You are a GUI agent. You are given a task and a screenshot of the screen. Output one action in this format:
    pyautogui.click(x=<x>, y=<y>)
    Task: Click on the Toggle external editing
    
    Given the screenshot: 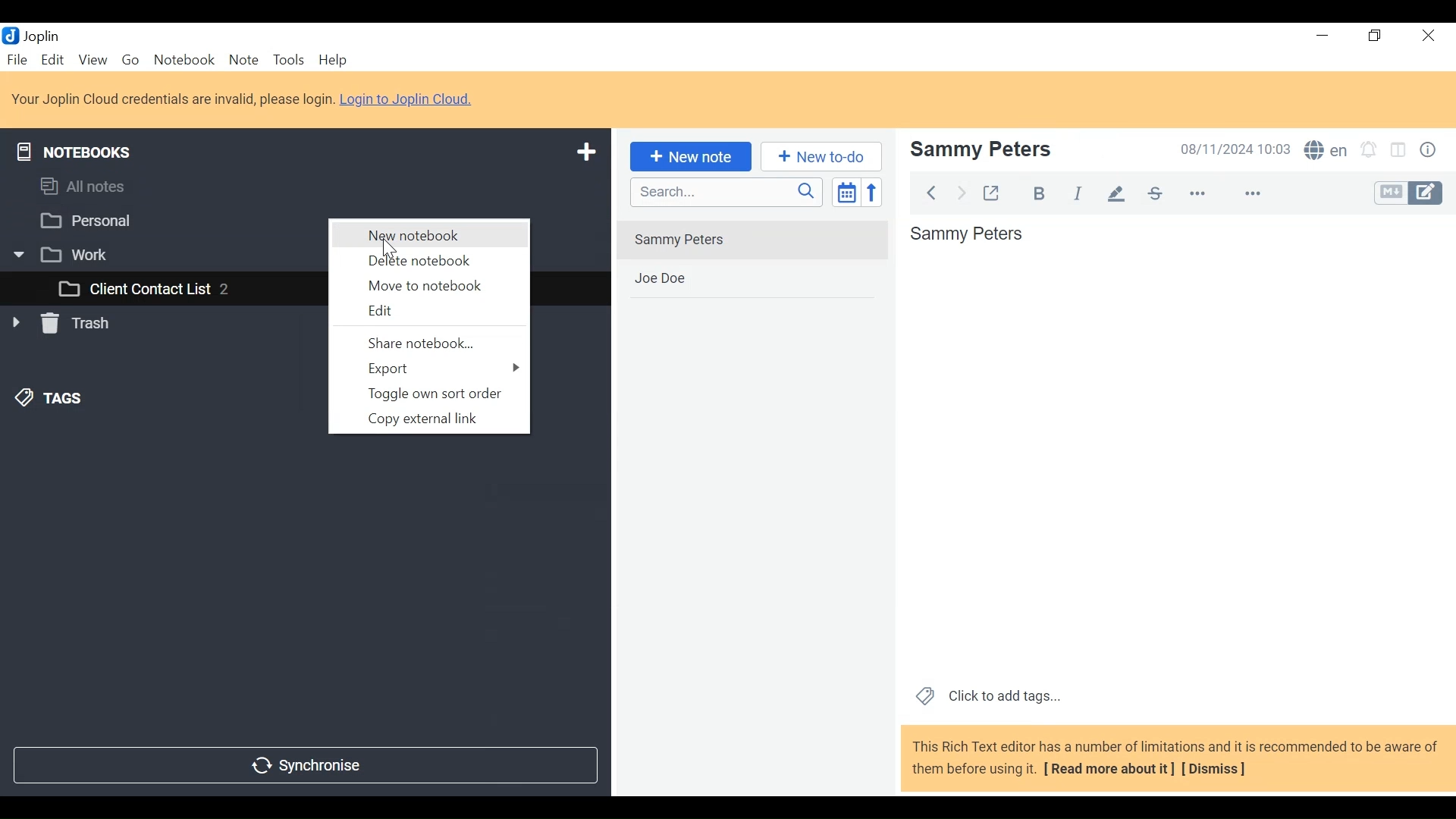 What is the action you would take?
    pyautogui.click(x=993, y=192)
    